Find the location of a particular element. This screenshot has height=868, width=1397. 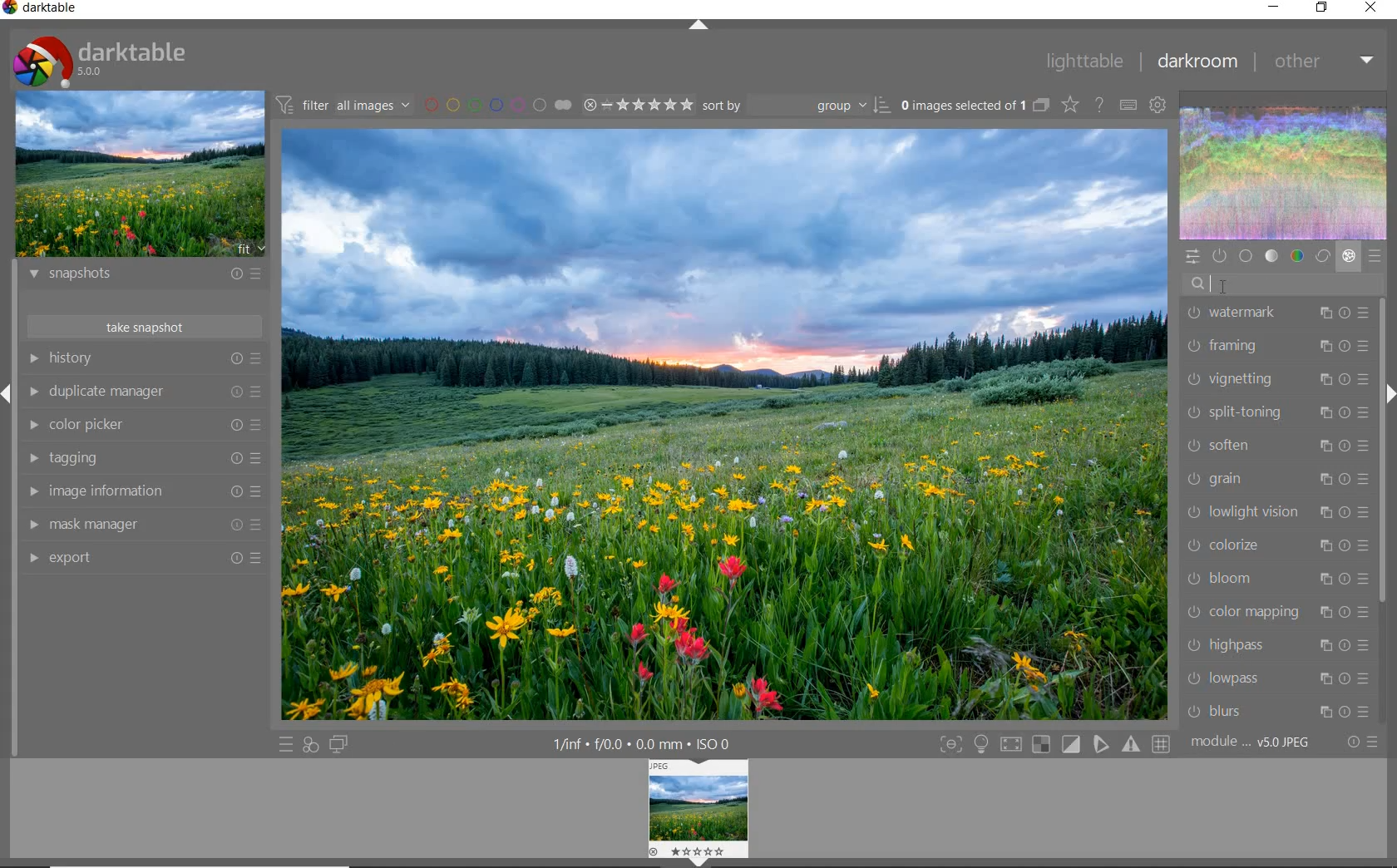

system logo is located at coordinates (101, 60).